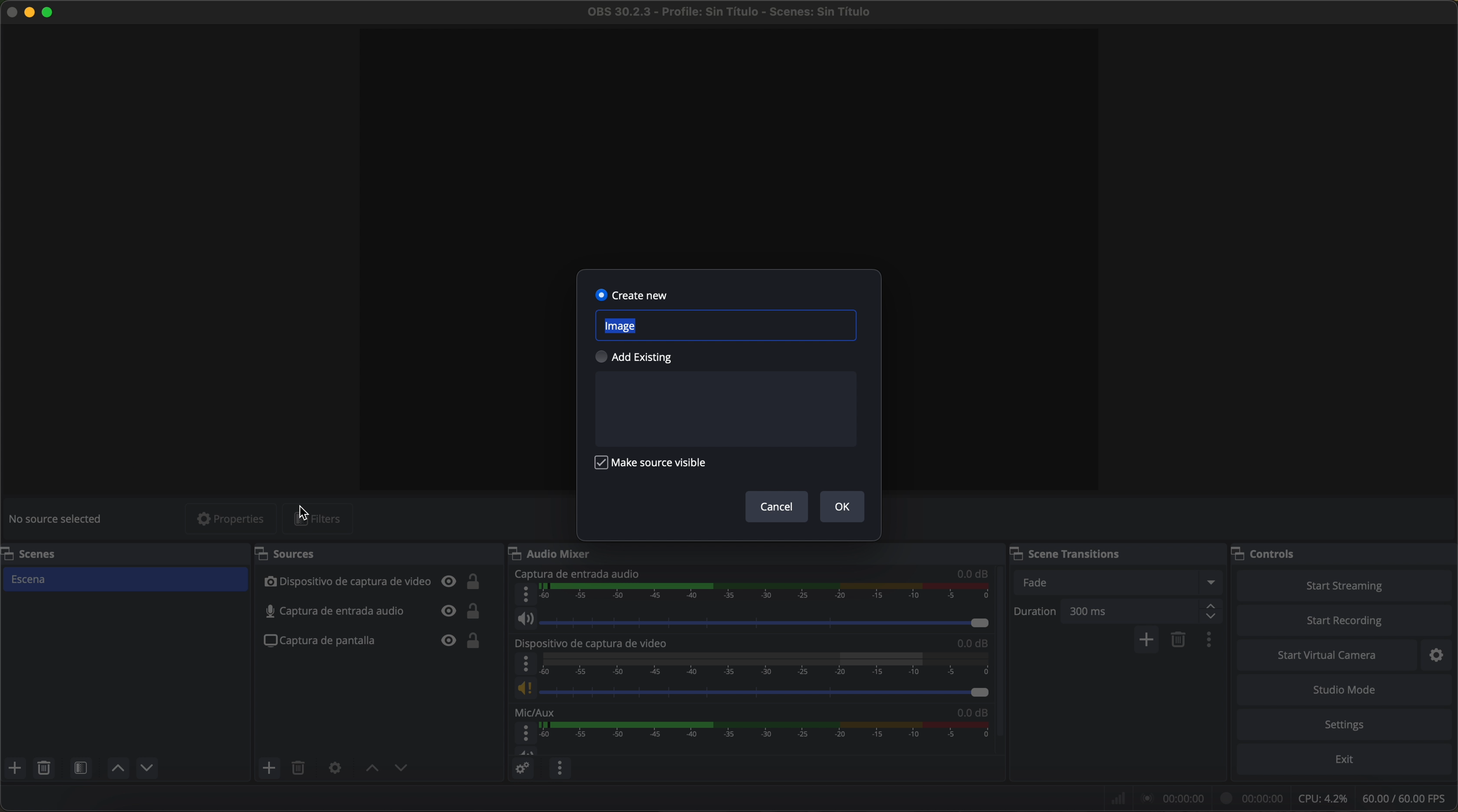 This screenshot has width=1458, height=812. What do you see at coordinates (527, 733) in the screenshot?
I see `more options` at bounding box center [527, 733].